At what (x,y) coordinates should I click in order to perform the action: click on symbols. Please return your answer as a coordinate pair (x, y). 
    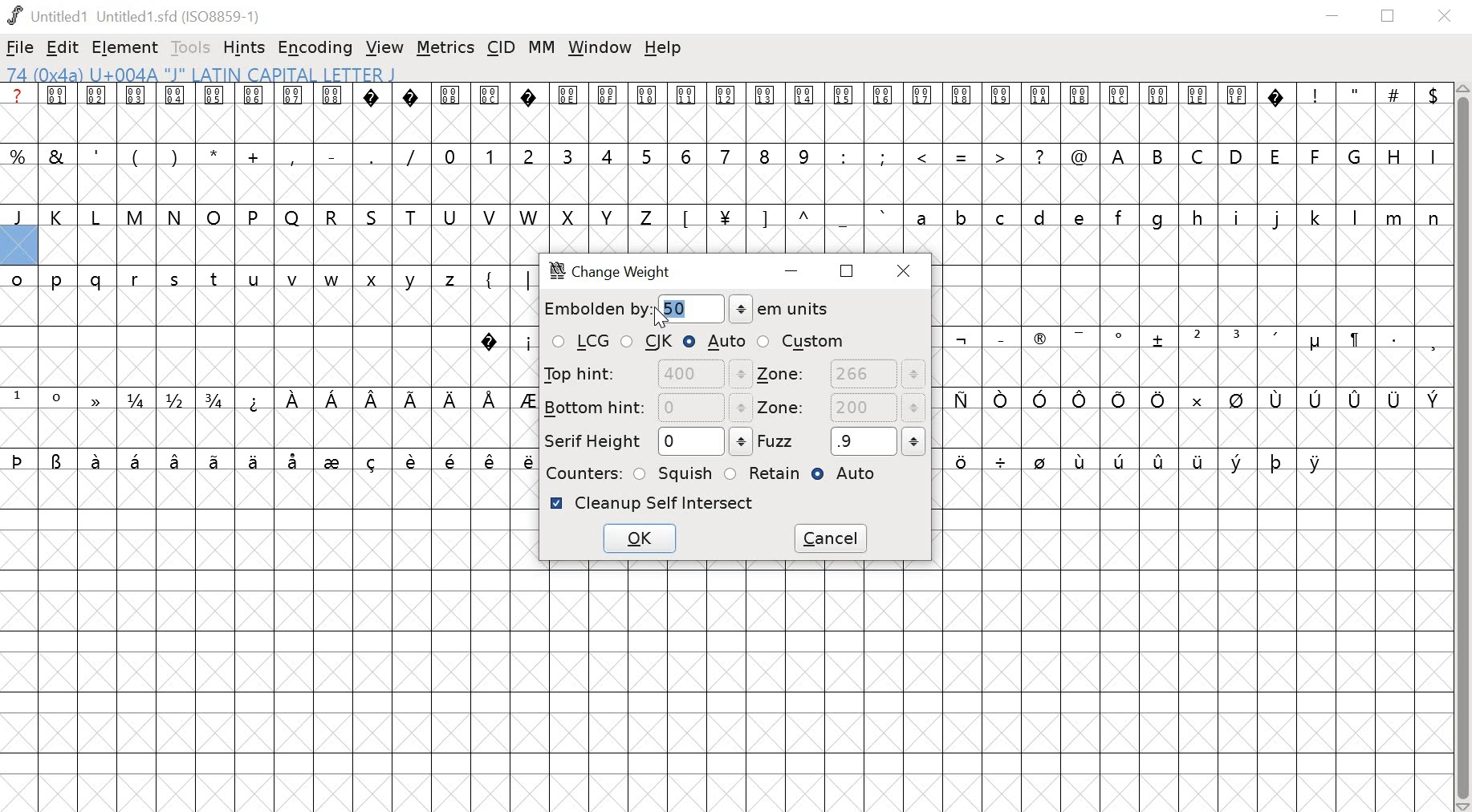
    Looking at the image, I should click on (1140, 464).